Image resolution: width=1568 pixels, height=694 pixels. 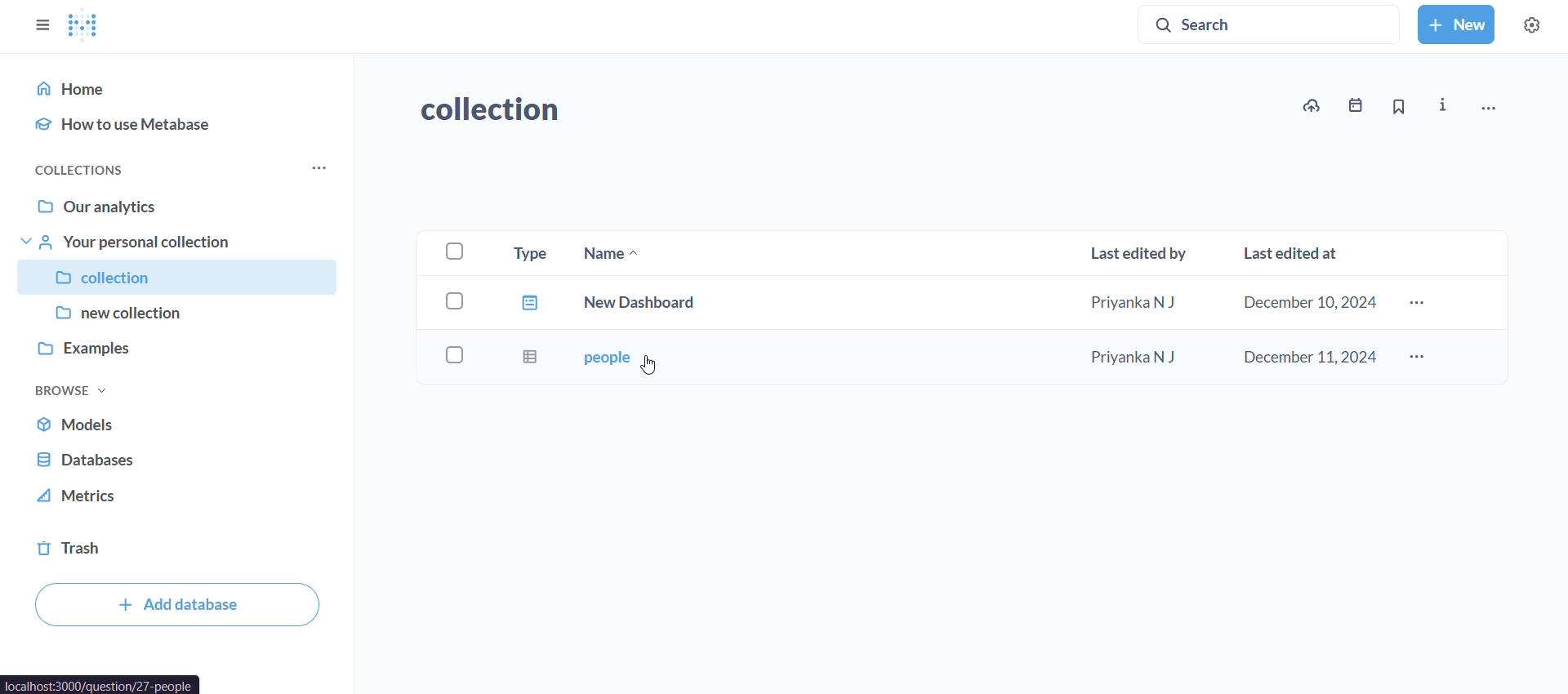 I want to click on move,trash, and more, so click(x=1490, y=109).